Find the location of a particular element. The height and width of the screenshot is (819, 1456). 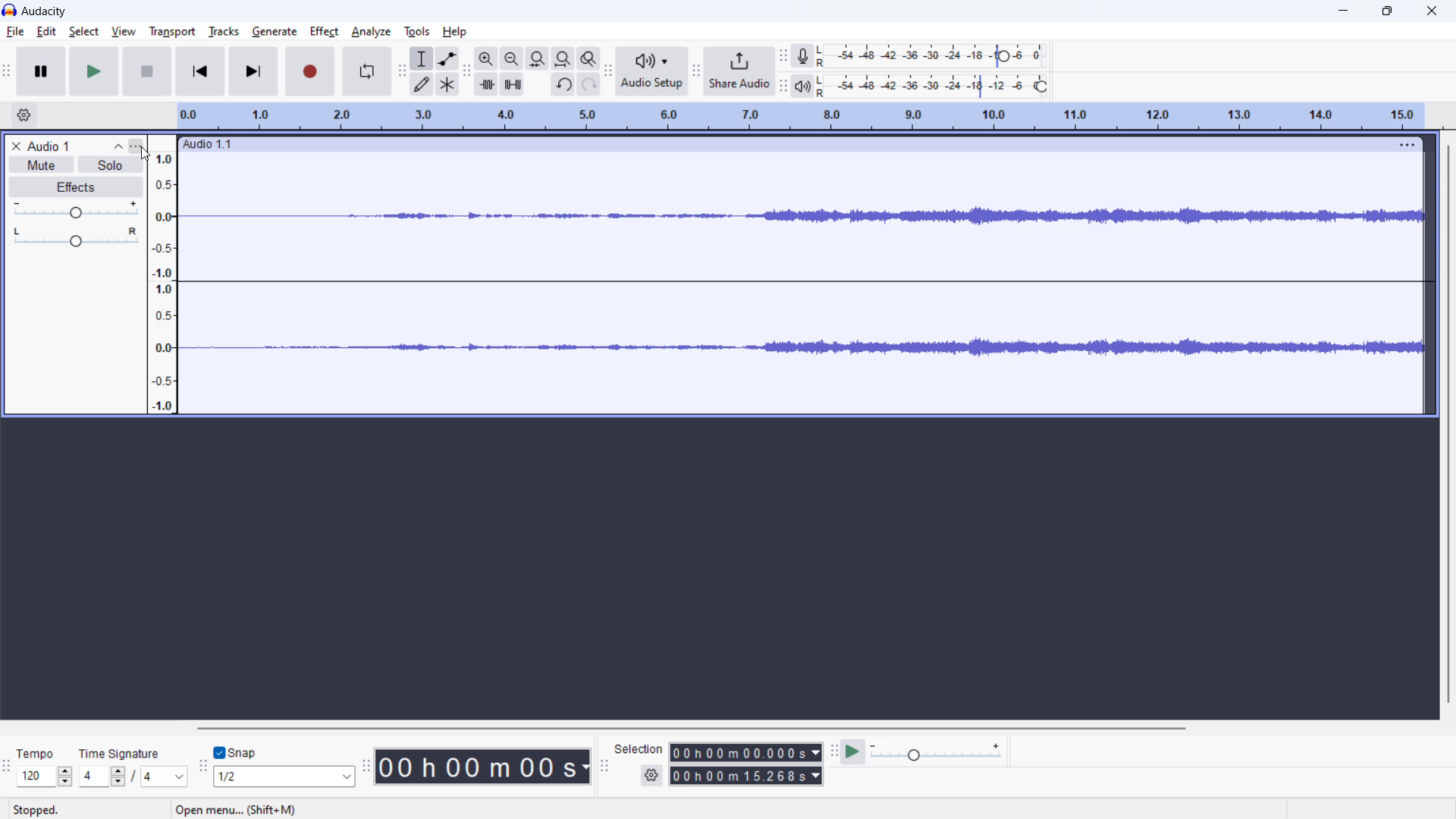

play at speed toolbar is located at coordinates (833, 751).